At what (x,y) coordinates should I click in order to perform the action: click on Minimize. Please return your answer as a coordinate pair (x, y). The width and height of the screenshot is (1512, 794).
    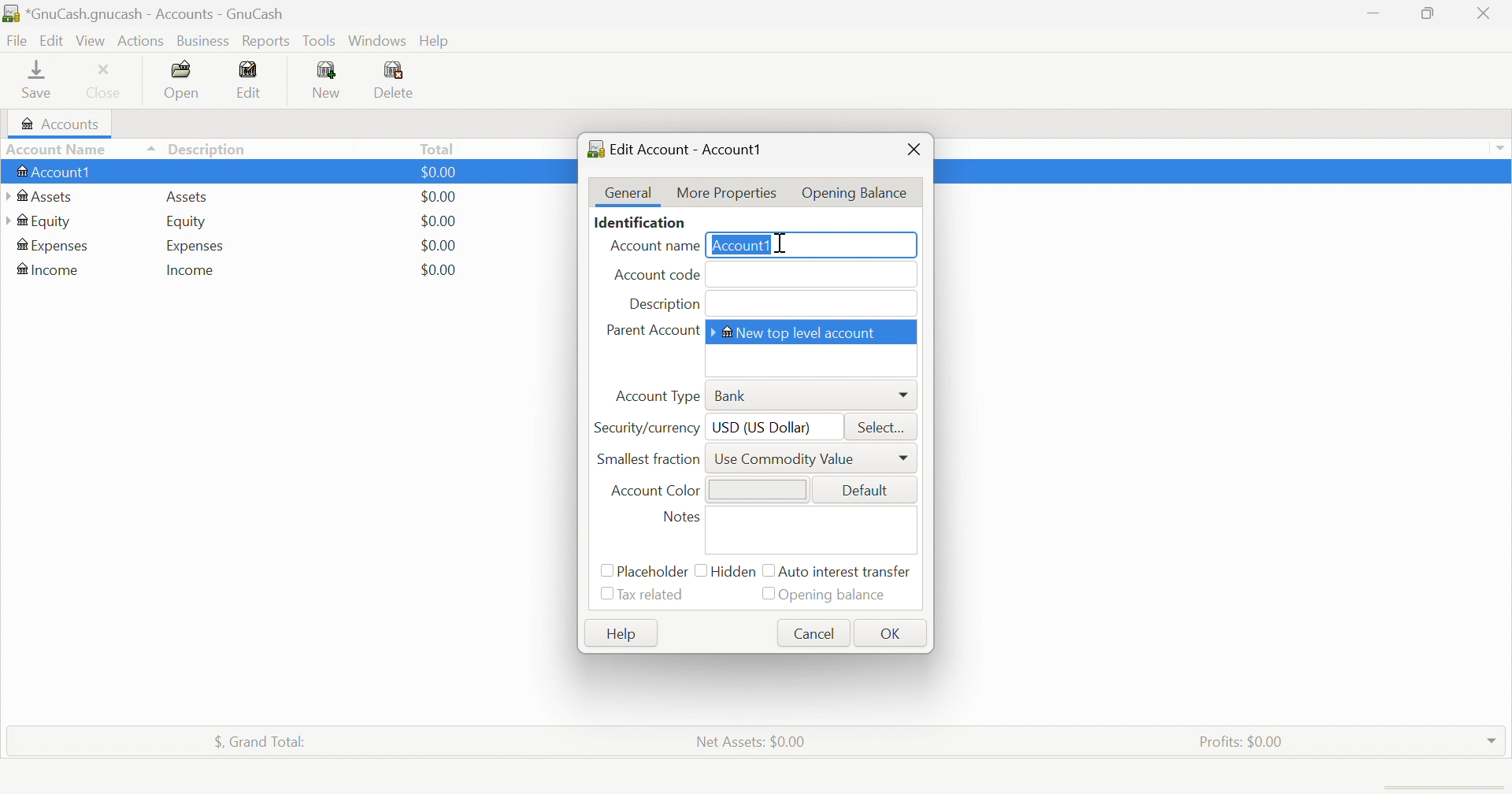
    Looking at the image, I should click on (1372, 13).